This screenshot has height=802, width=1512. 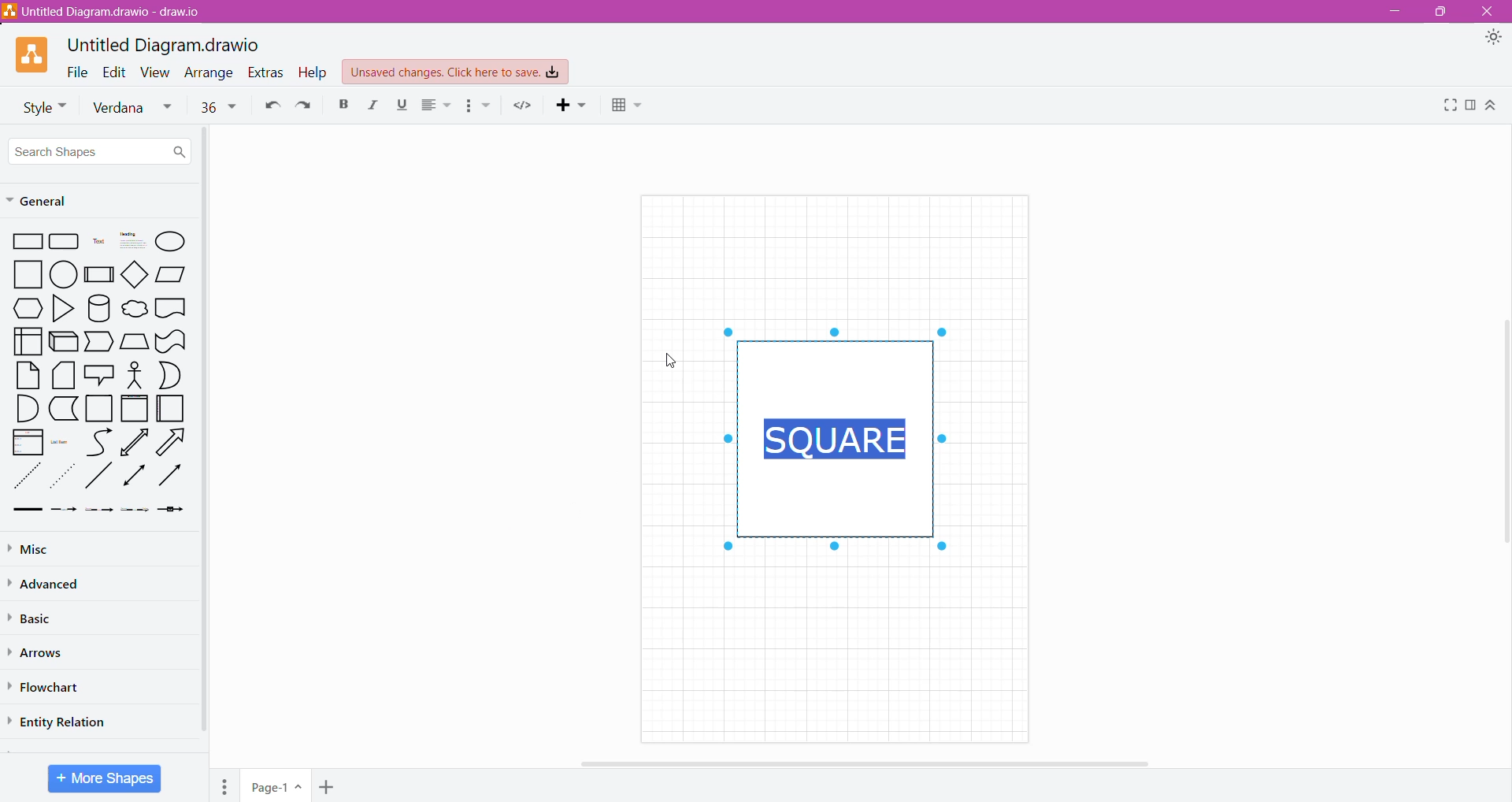 What do you see at coordinates (370, 106) in the screenshot?
I see `Italic` at bounding box center [370, 106].